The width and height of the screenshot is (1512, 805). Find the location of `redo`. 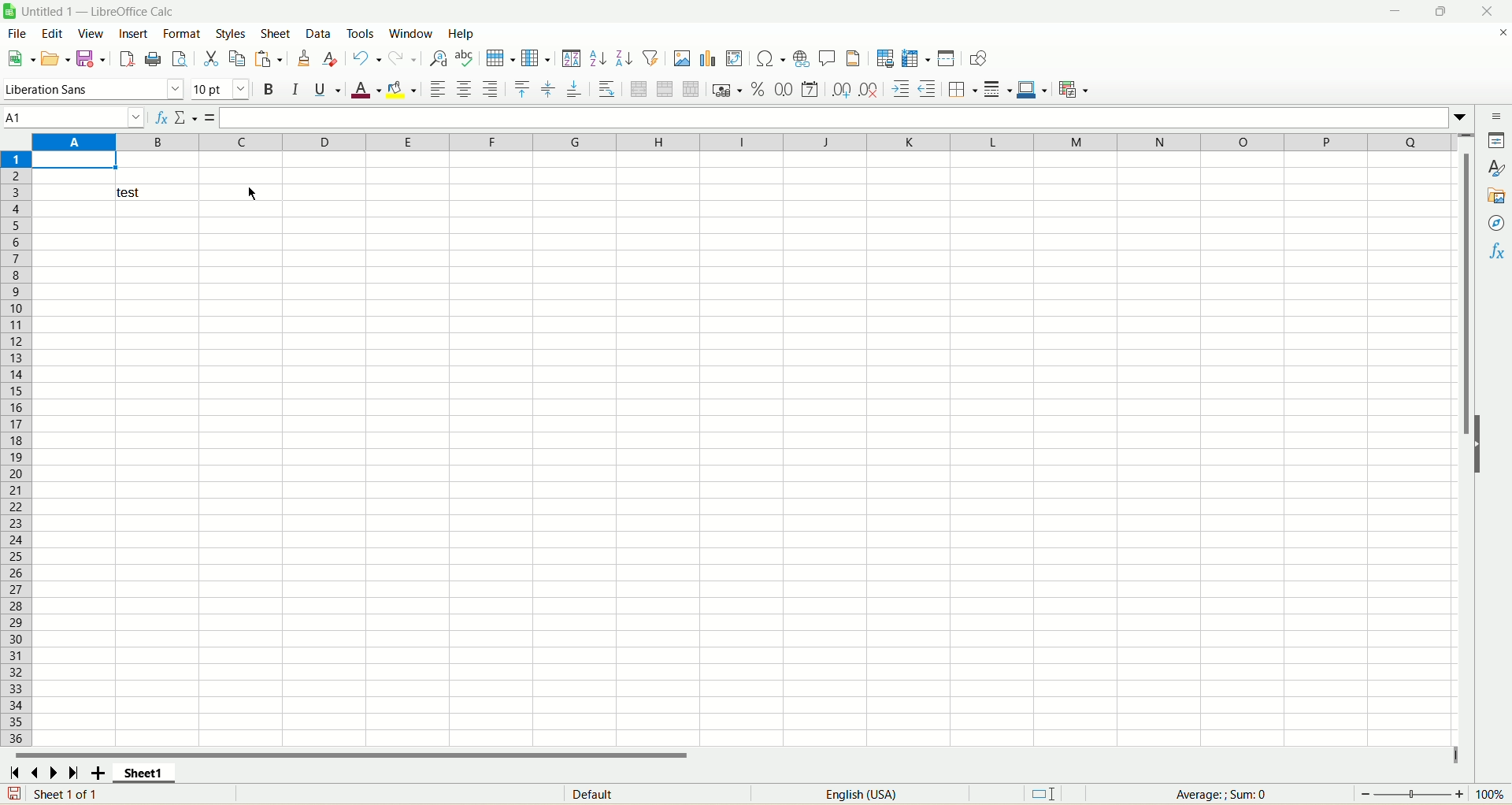

redo is located at coordinates (402, 58).